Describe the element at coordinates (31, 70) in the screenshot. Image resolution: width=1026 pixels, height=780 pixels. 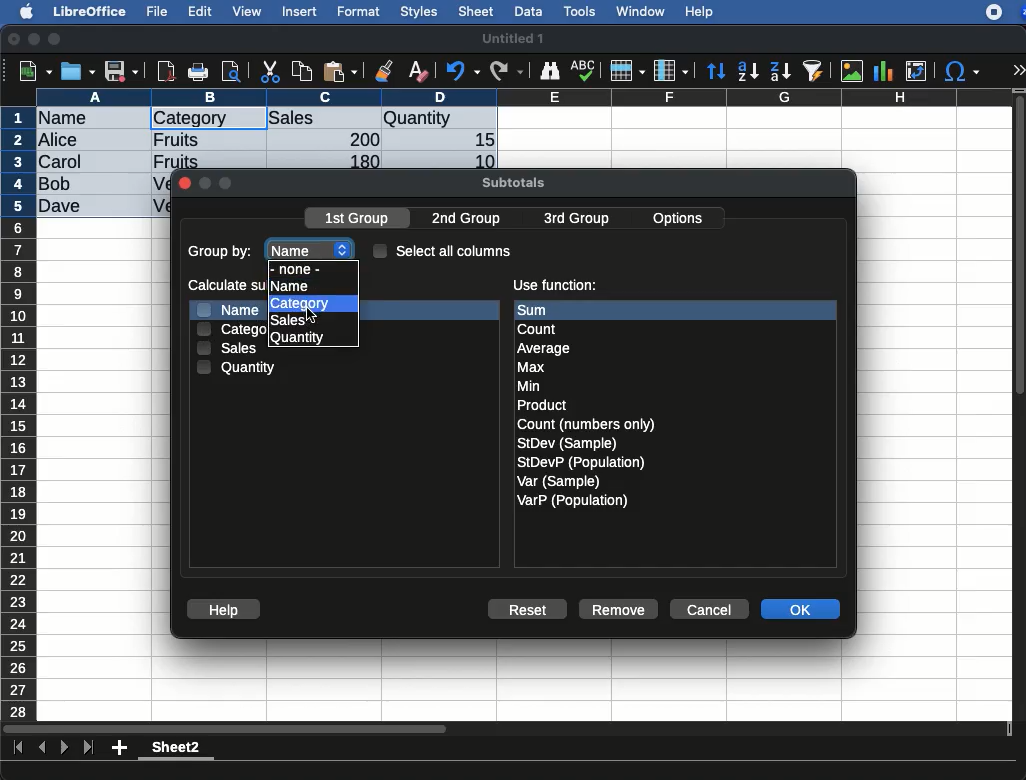
I see `new` at that location.